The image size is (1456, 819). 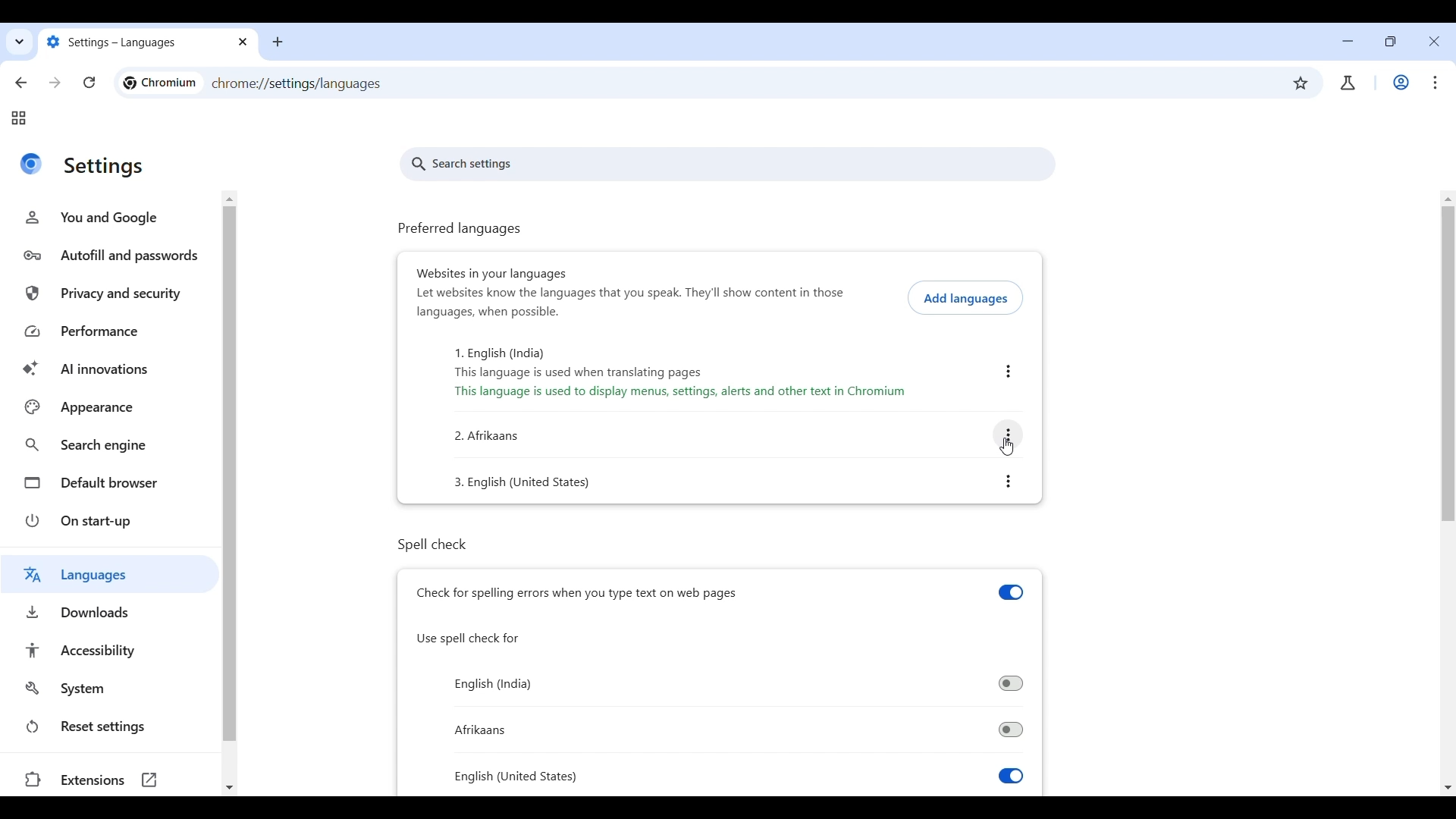 What do you see at coordinates (1006, 447) in the screenshot?
I see `Cursor clicking on Afrikaans setting` at bounding box center [1006, 447].